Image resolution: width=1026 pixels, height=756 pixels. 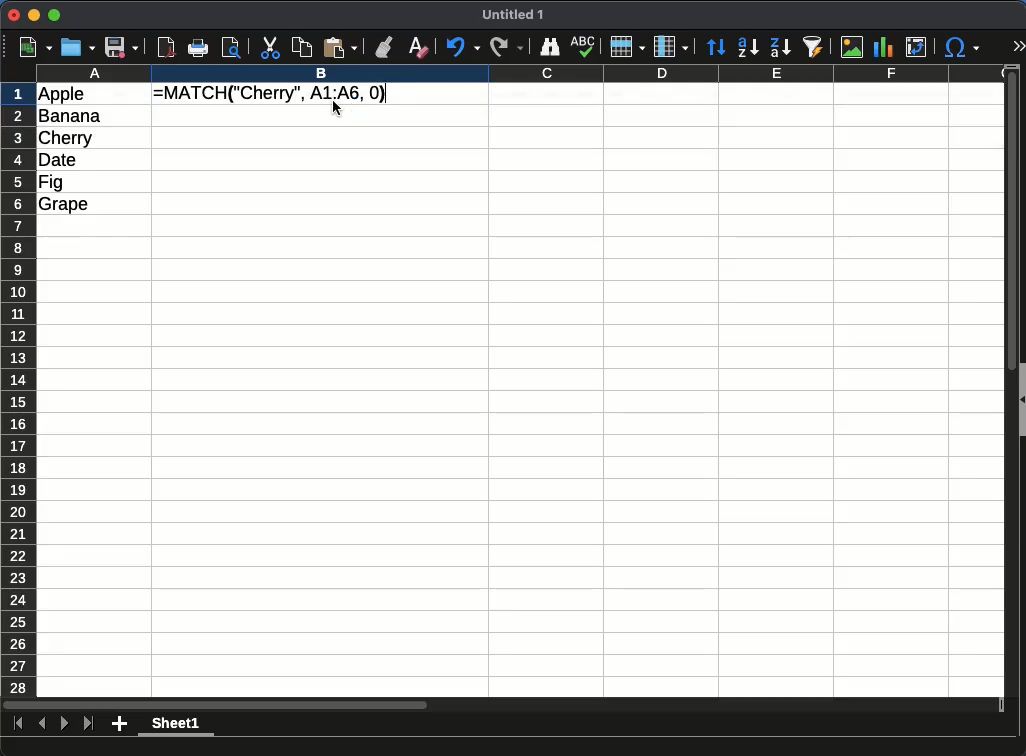 What do you see at coordinates (337, 108) in the screenshot?
I see `cursor` at bounding box center [337, 108].